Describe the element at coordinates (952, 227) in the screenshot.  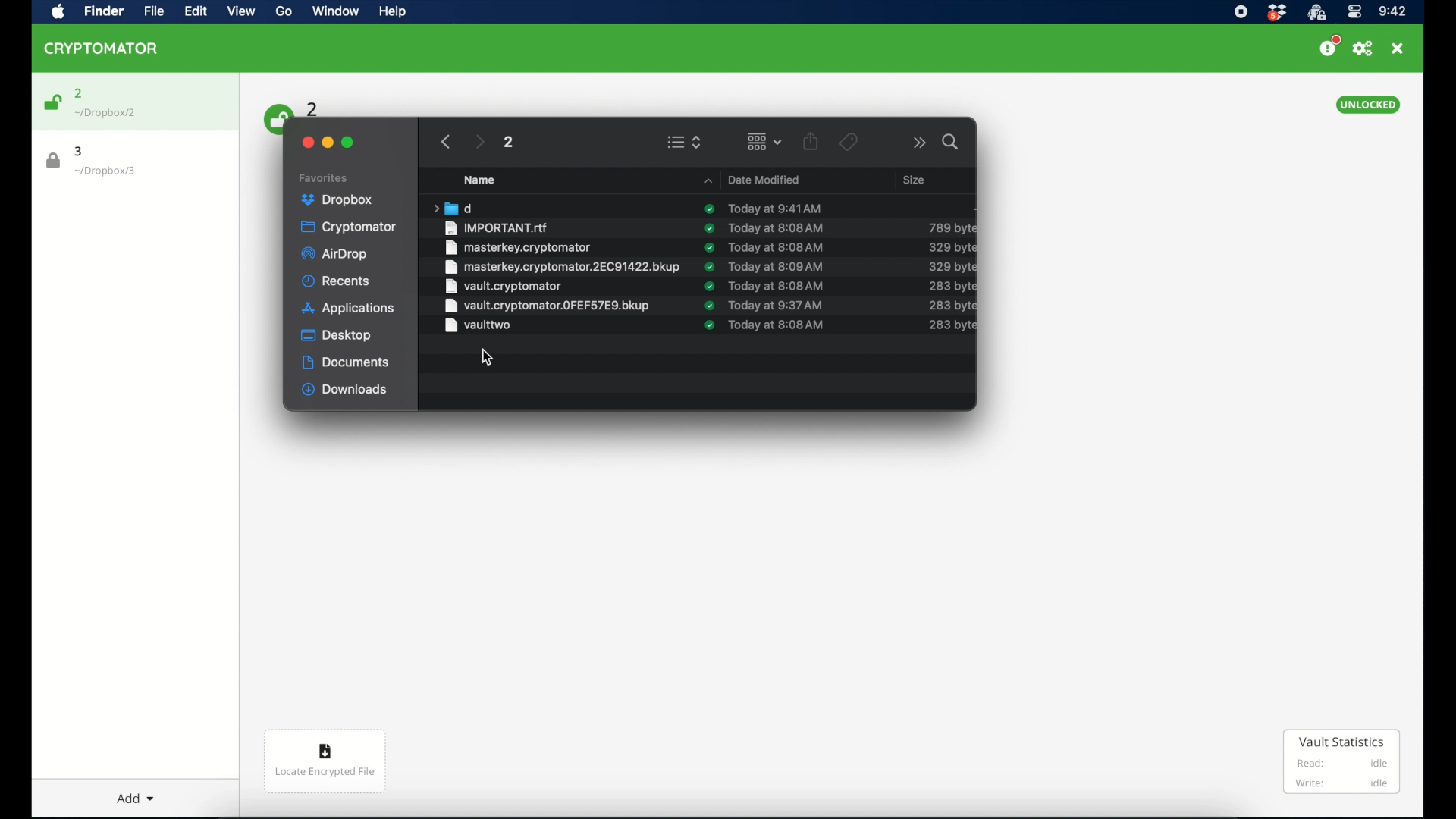
I see `size` at that location.